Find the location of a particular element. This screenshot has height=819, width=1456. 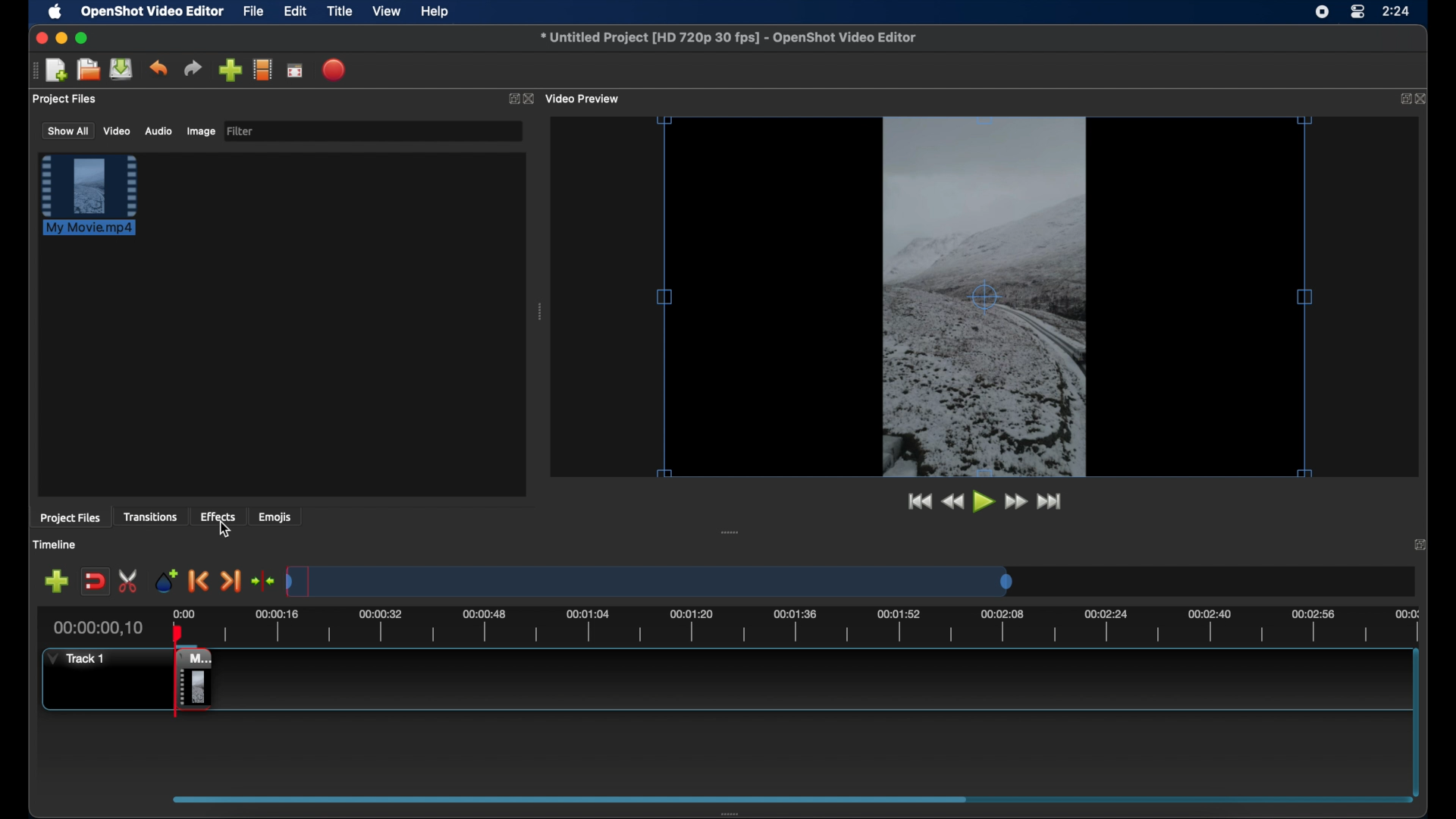

undo is located at coordinates (158, 68).